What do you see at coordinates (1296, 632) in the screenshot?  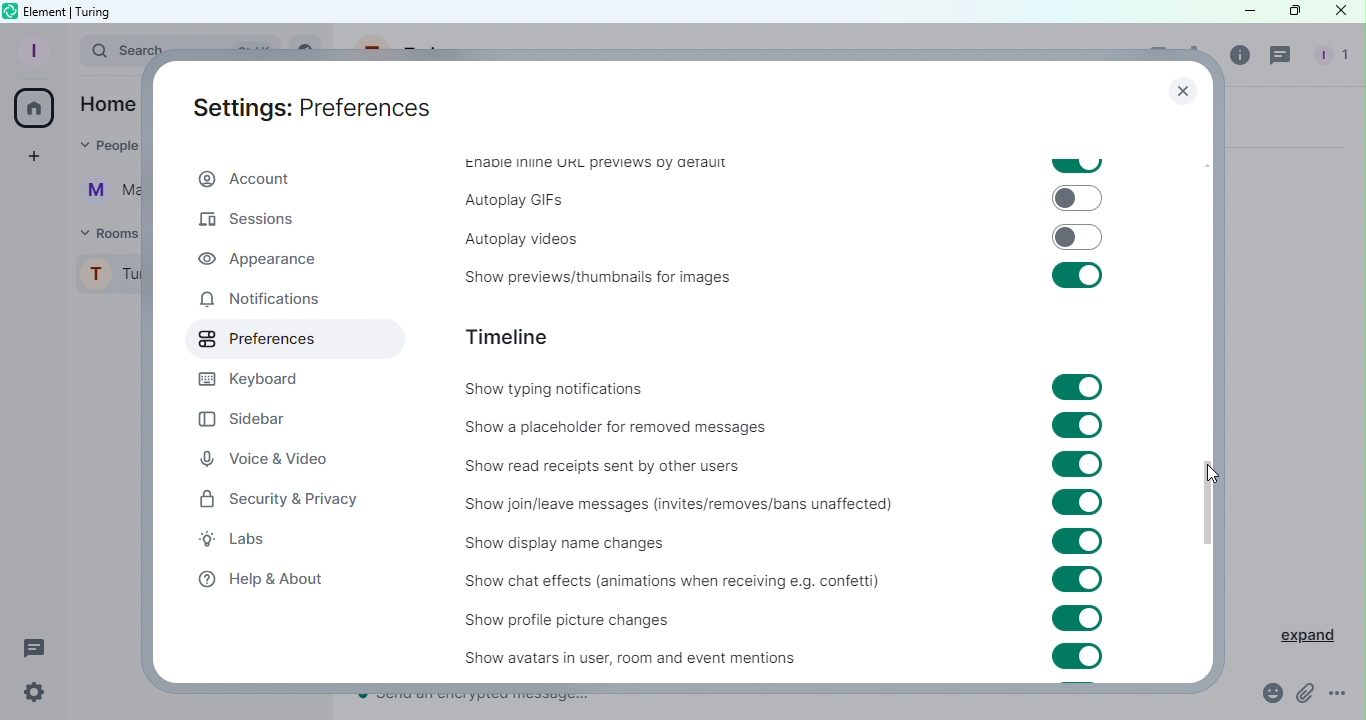 I see `Expand` at bounding box center [1296, 632].